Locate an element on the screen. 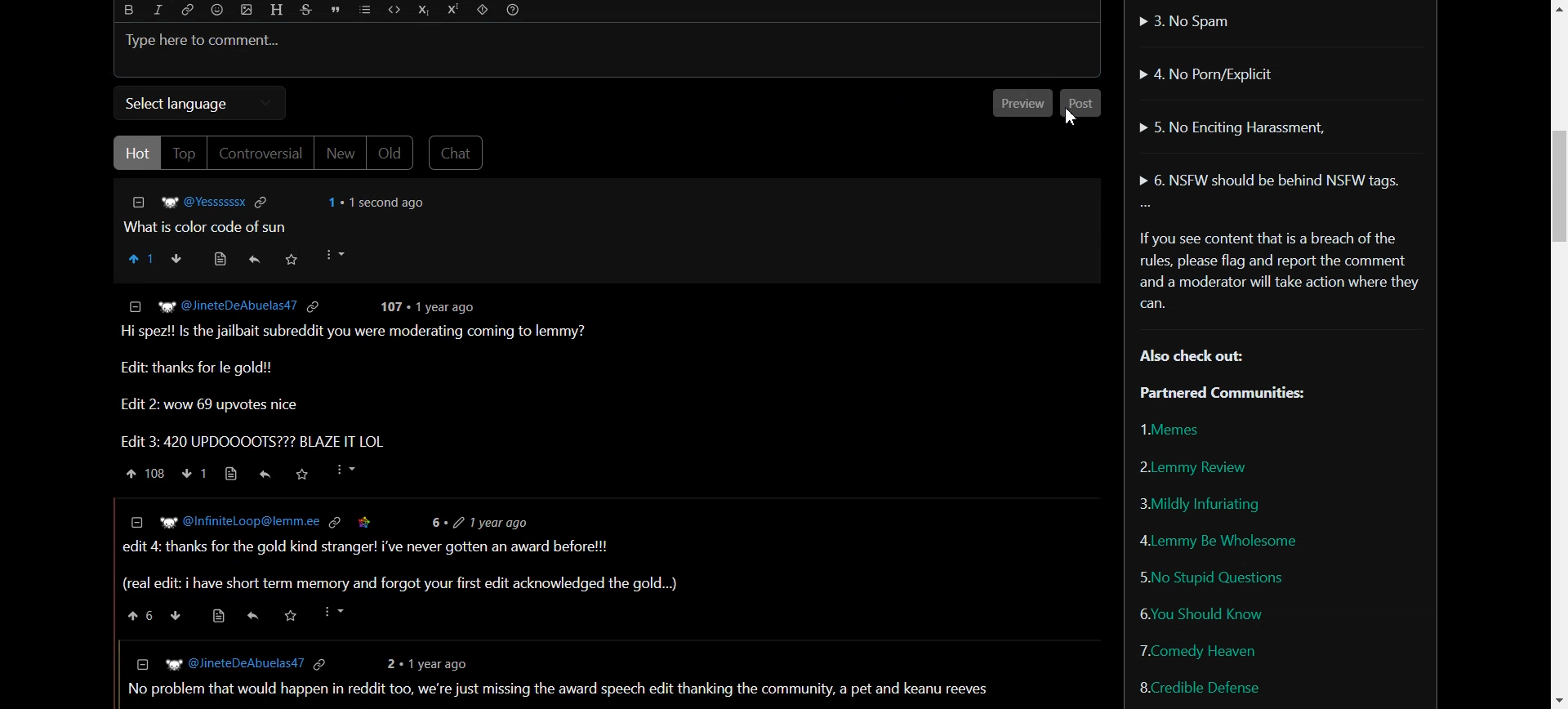  Lemmy Review is located at coordinates (1201, 467).